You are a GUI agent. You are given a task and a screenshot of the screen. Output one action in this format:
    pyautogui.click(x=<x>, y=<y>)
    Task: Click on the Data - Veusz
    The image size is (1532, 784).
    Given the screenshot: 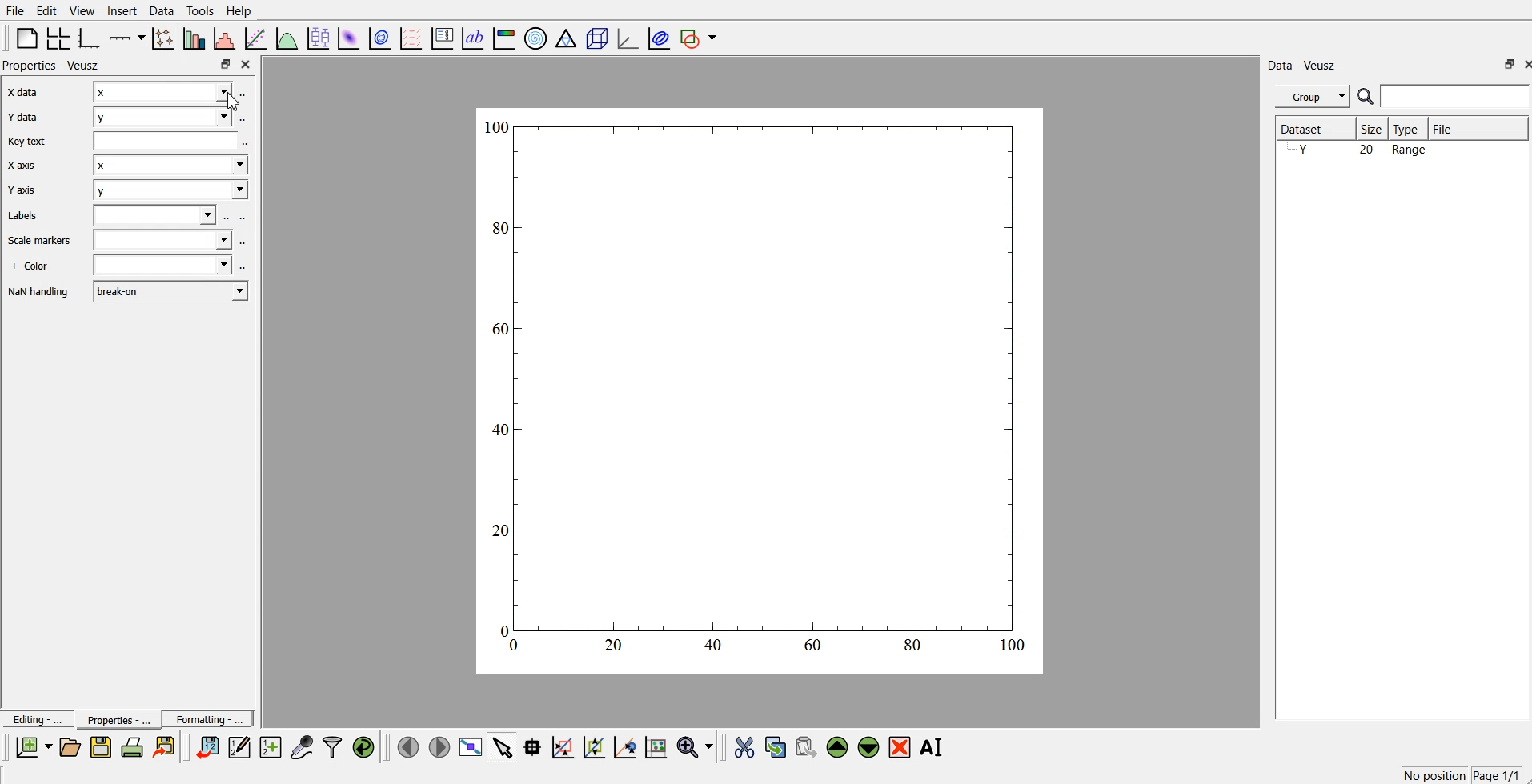 What is the action you would take?
    pyautogui.click(x=1308, y=64)
    